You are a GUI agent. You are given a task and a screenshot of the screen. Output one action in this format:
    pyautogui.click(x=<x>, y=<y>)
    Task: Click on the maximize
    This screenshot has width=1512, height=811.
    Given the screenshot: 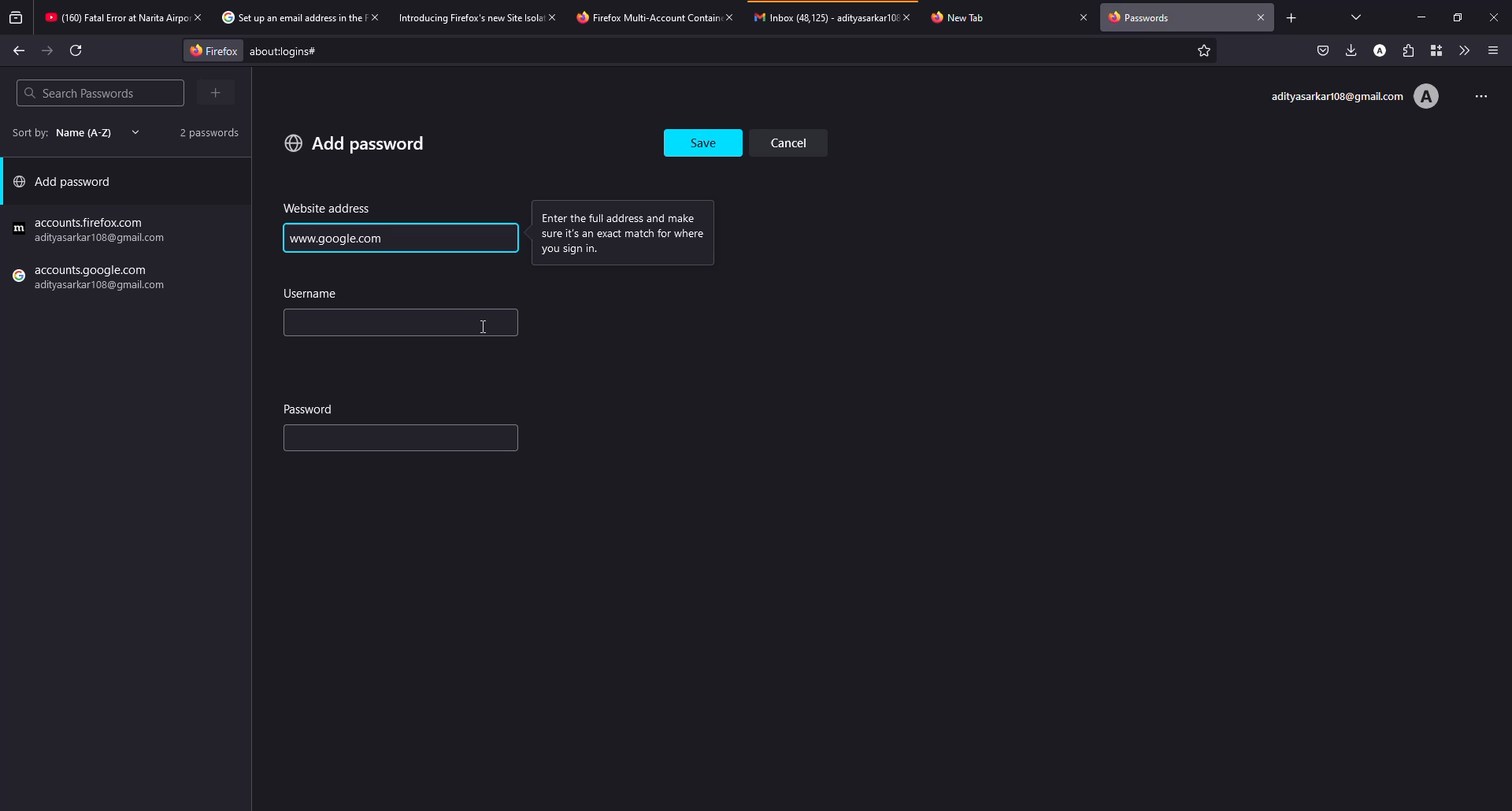 What is the action you would take?
    pyautogui.click(x=1454, y=17)
    